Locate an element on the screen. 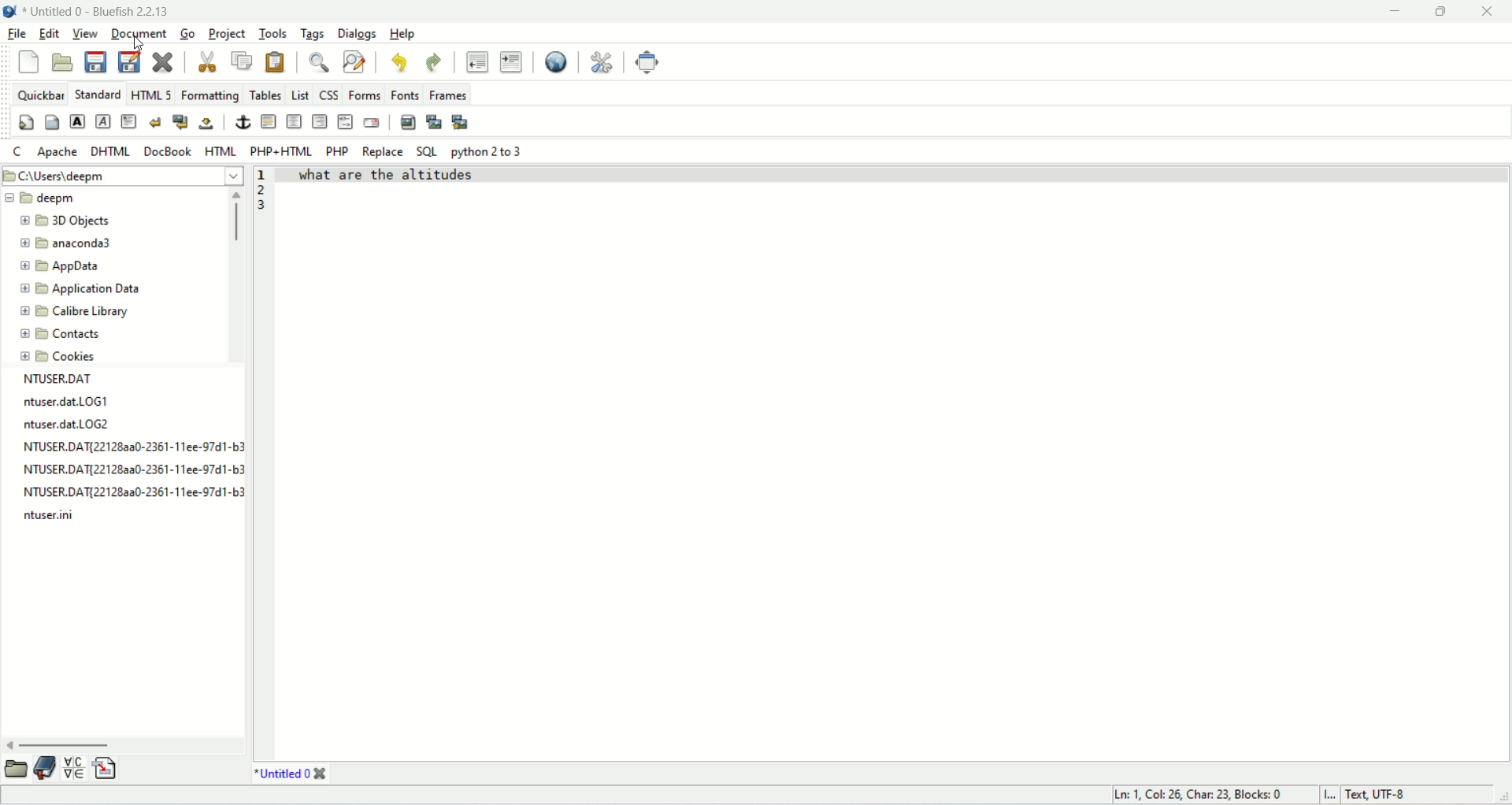 Image resolution: width=1512 pixels, height=805 pixels. docbook is located at coordinates (170, 149).